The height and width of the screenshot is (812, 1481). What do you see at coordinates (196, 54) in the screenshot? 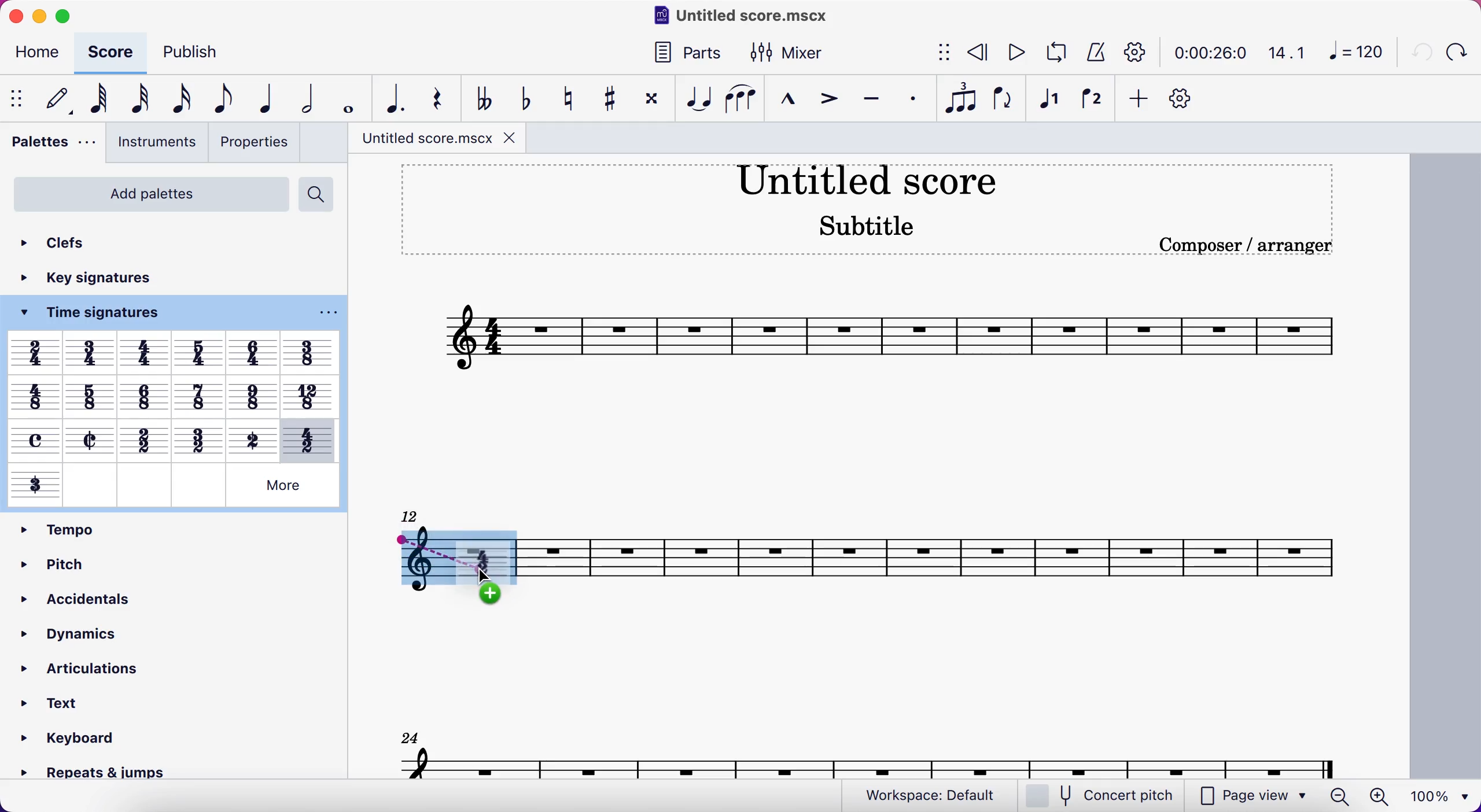
I see `publish` at bounding box center [196, 54].